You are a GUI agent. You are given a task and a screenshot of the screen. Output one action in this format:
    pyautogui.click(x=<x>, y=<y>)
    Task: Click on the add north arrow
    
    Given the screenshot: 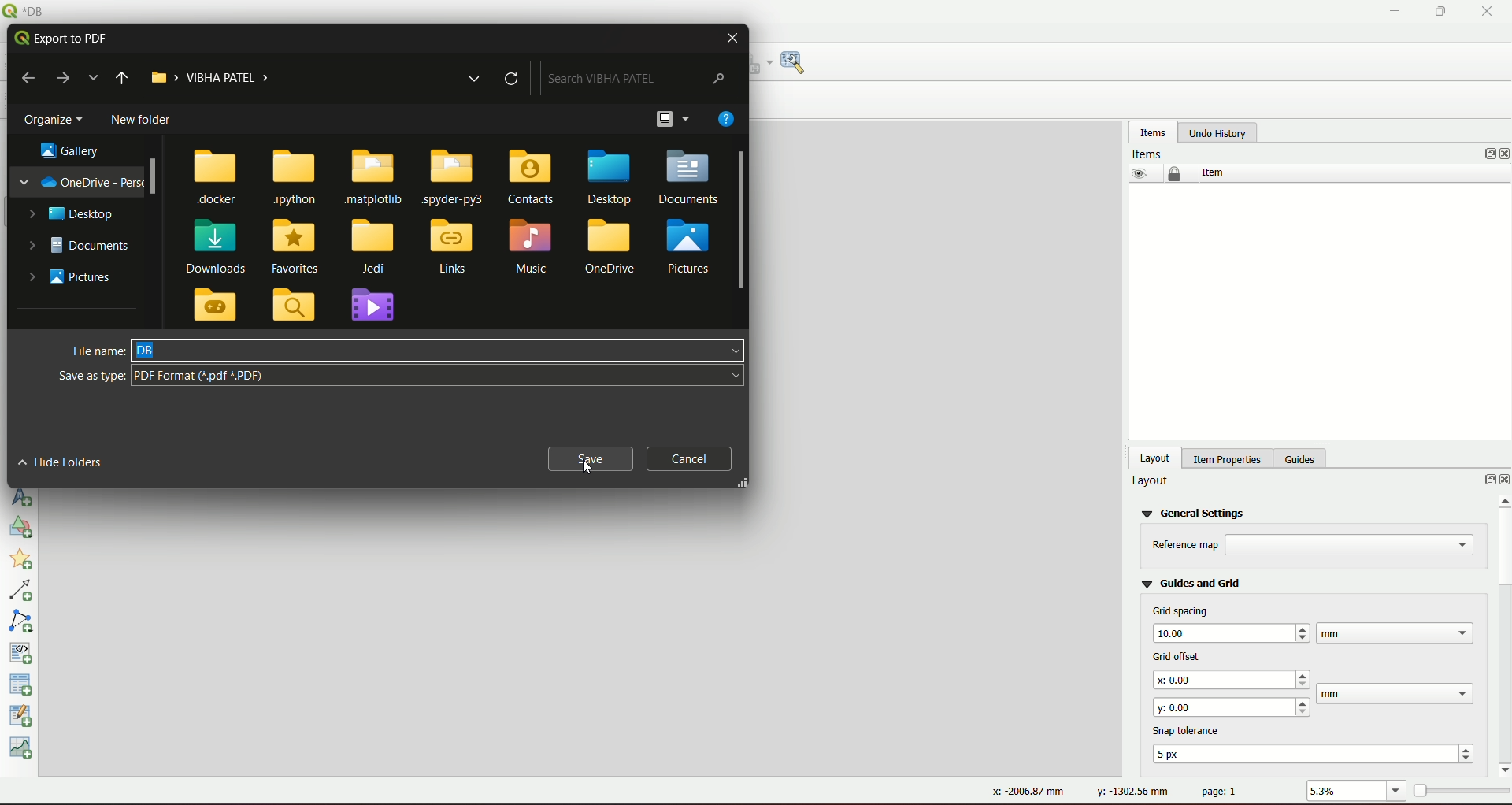 What is the action you would take?
    pyautogui.click(x=24, y=497)
    